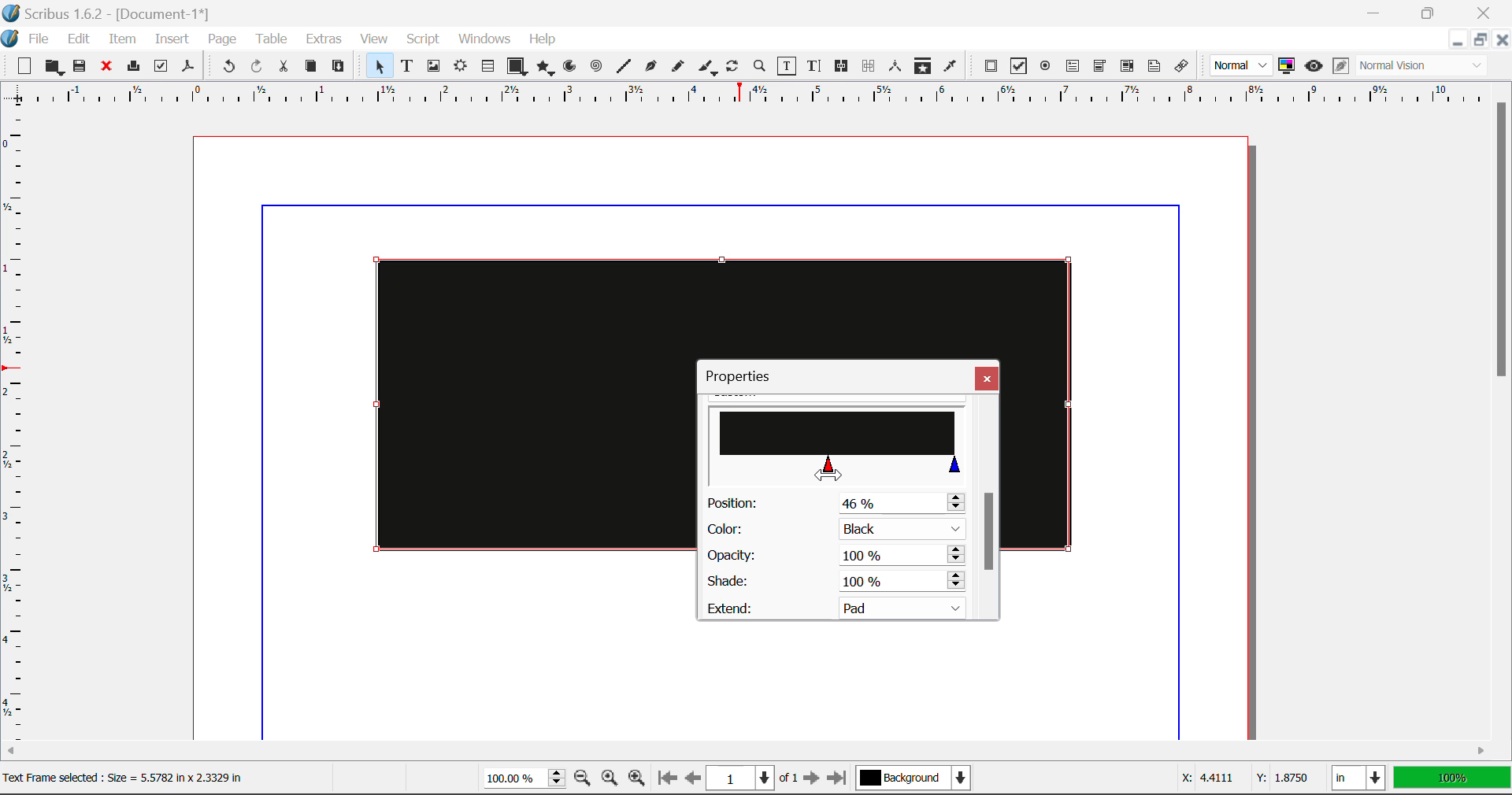 The image size is (1512, 795). What do you see at coordinates (312, 66) in the screenshot?
I see `Copy` at bounding box center [312, 66].